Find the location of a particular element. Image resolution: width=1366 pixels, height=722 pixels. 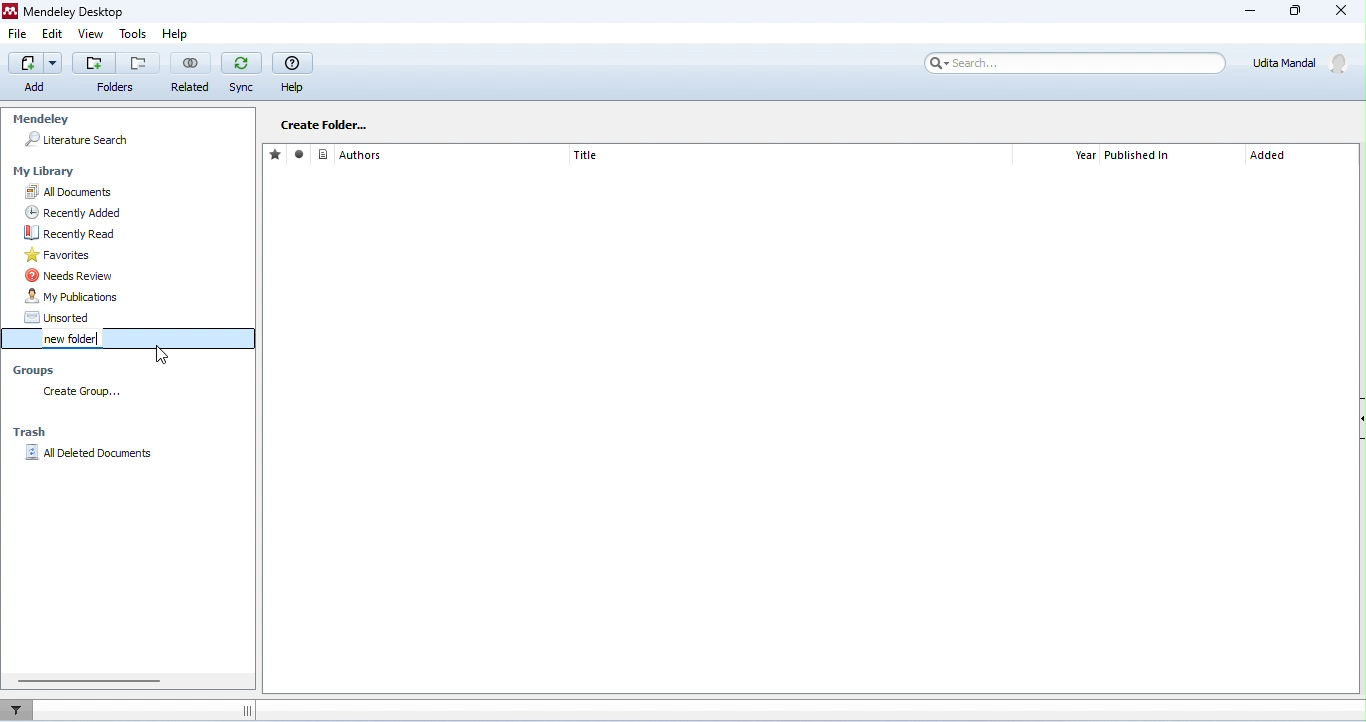

close is located at coordinates (1339, 11).